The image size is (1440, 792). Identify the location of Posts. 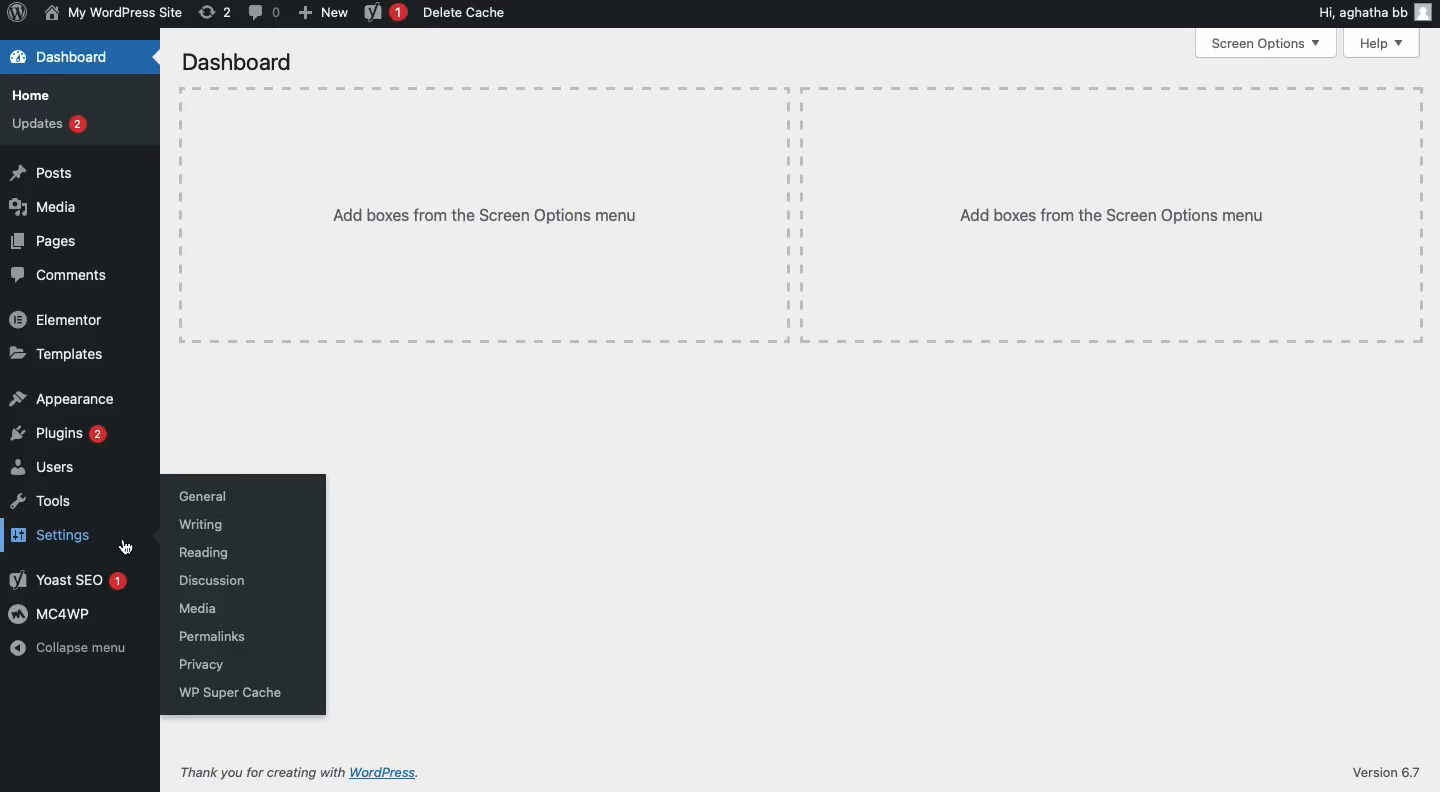
(40, 172).